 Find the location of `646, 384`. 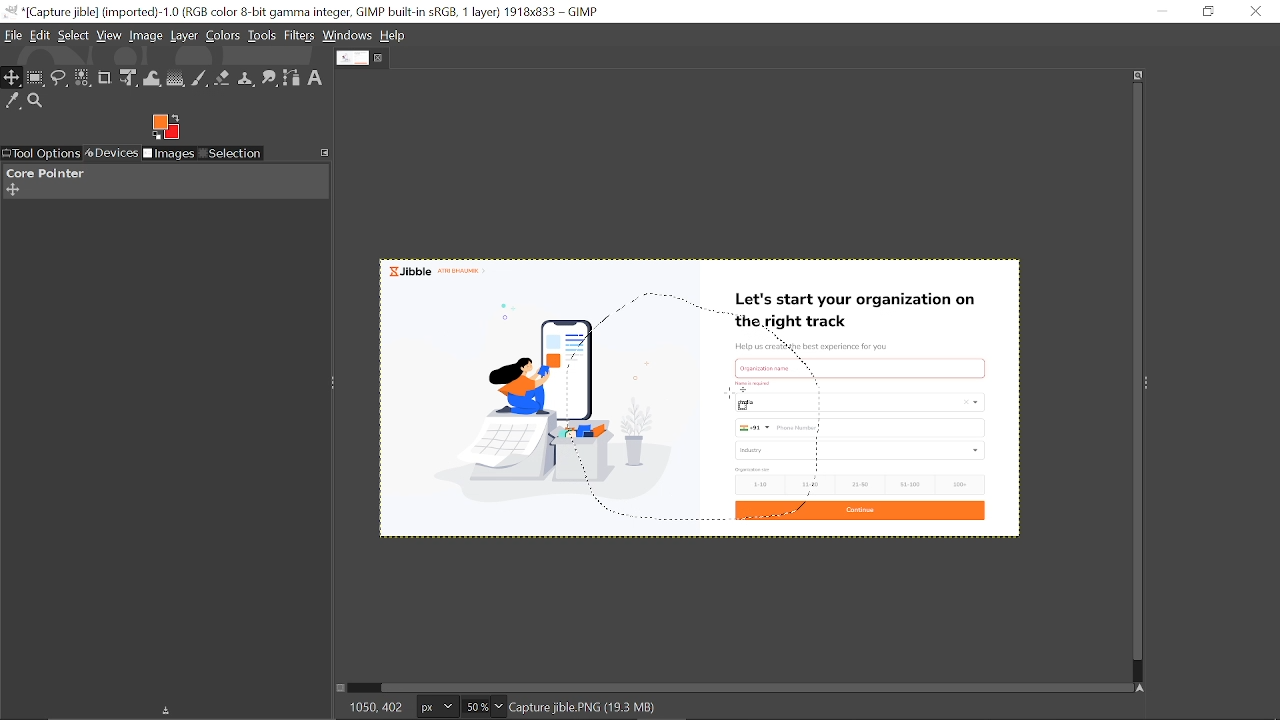

646, 384 is located at coordinates (376, 706).